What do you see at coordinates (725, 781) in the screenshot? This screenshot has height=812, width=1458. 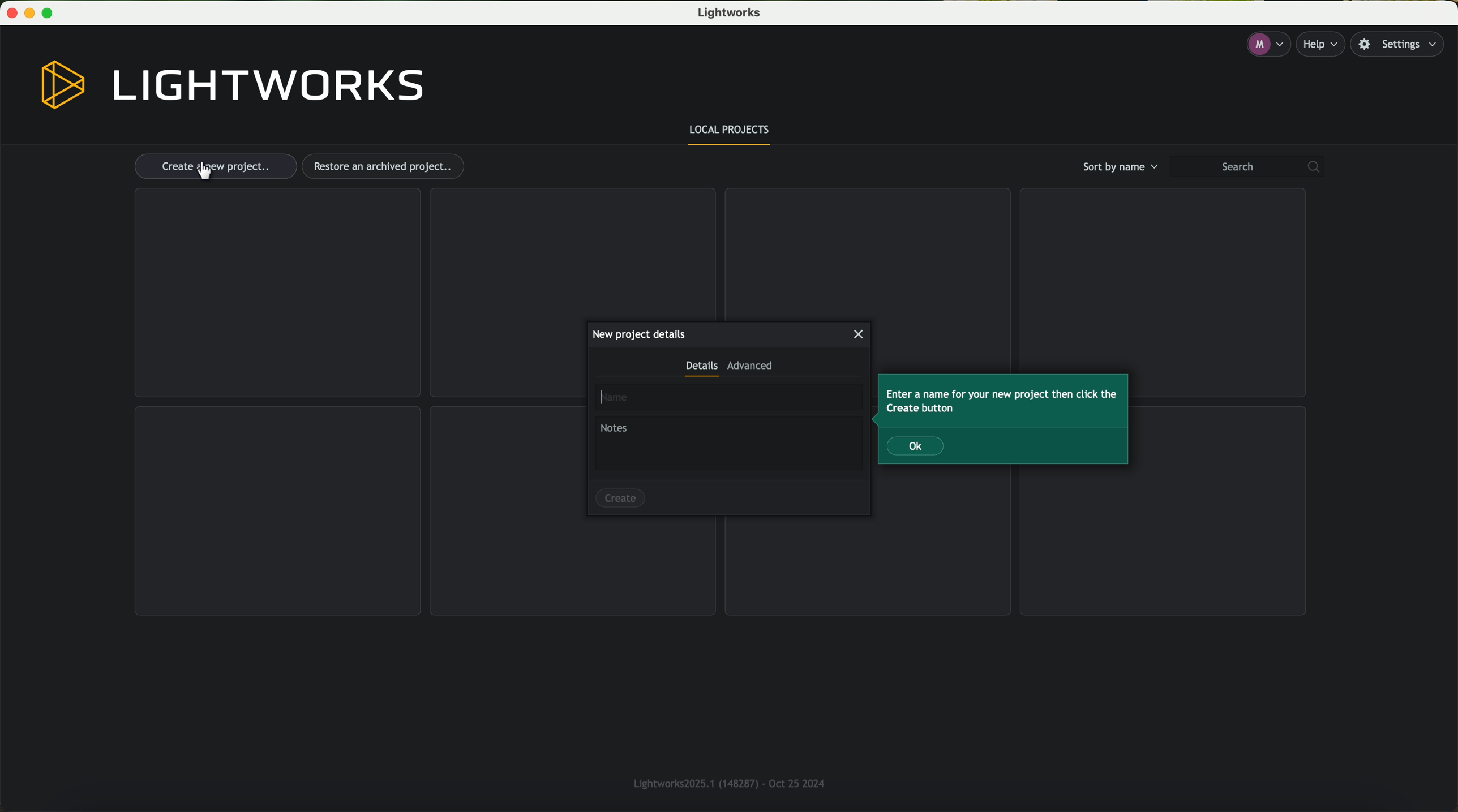 I see `registered trademark` at bounding box center [725, 781].